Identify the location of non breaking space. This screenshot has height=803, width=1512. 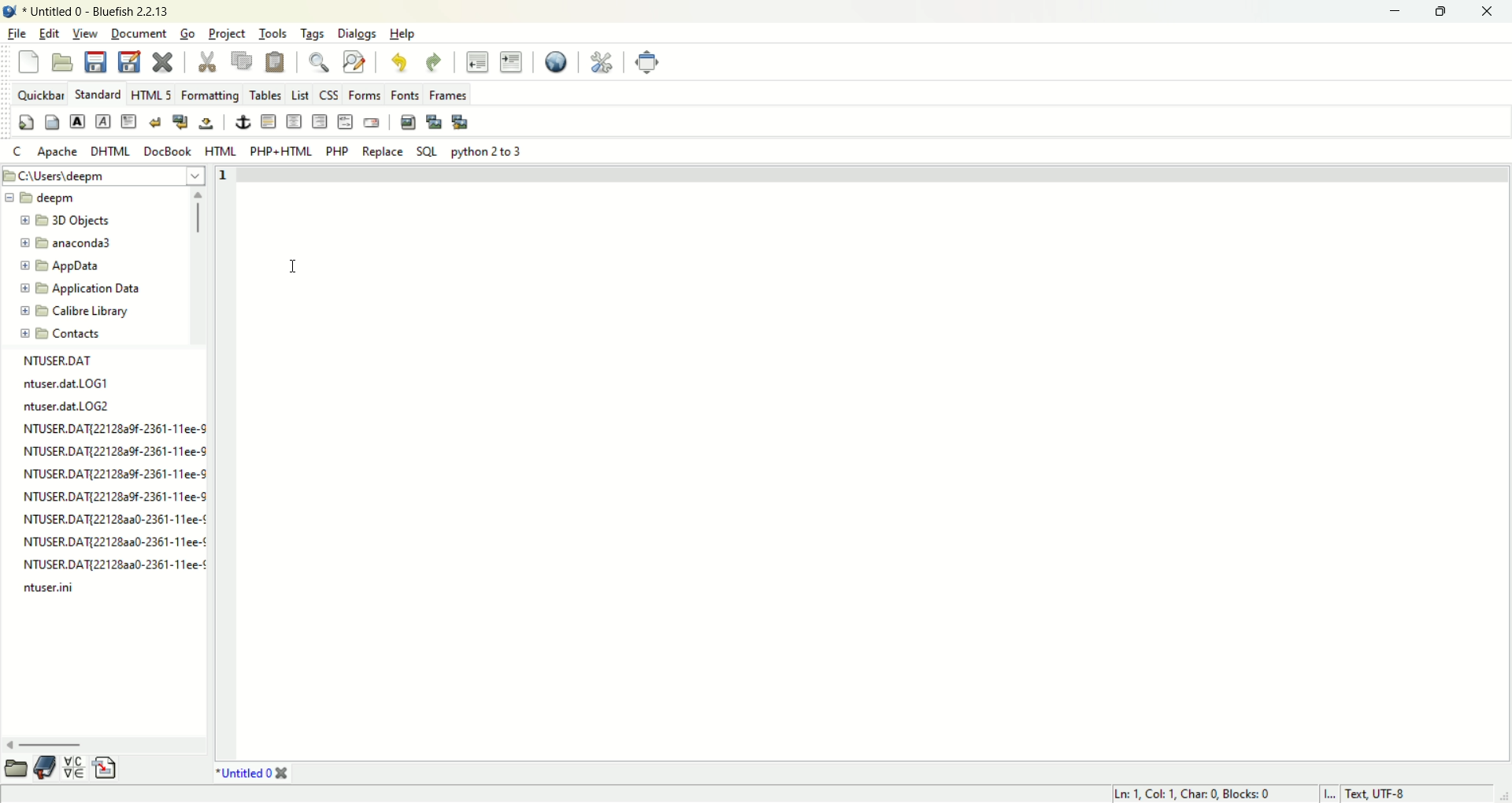
(206, 124).